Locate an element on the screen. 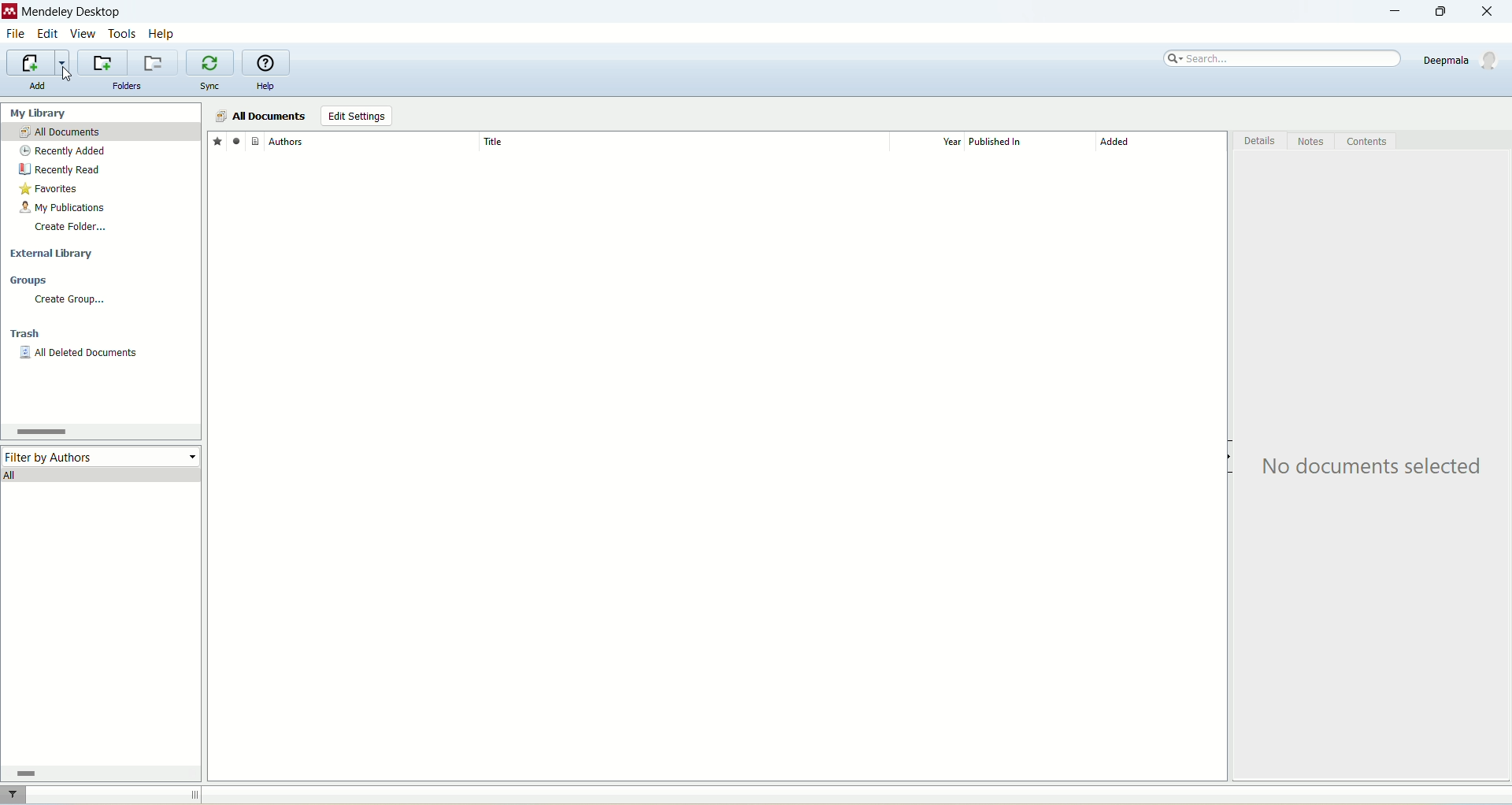 The image size is (1512, 805). filter is located at coordinates (15, 795).